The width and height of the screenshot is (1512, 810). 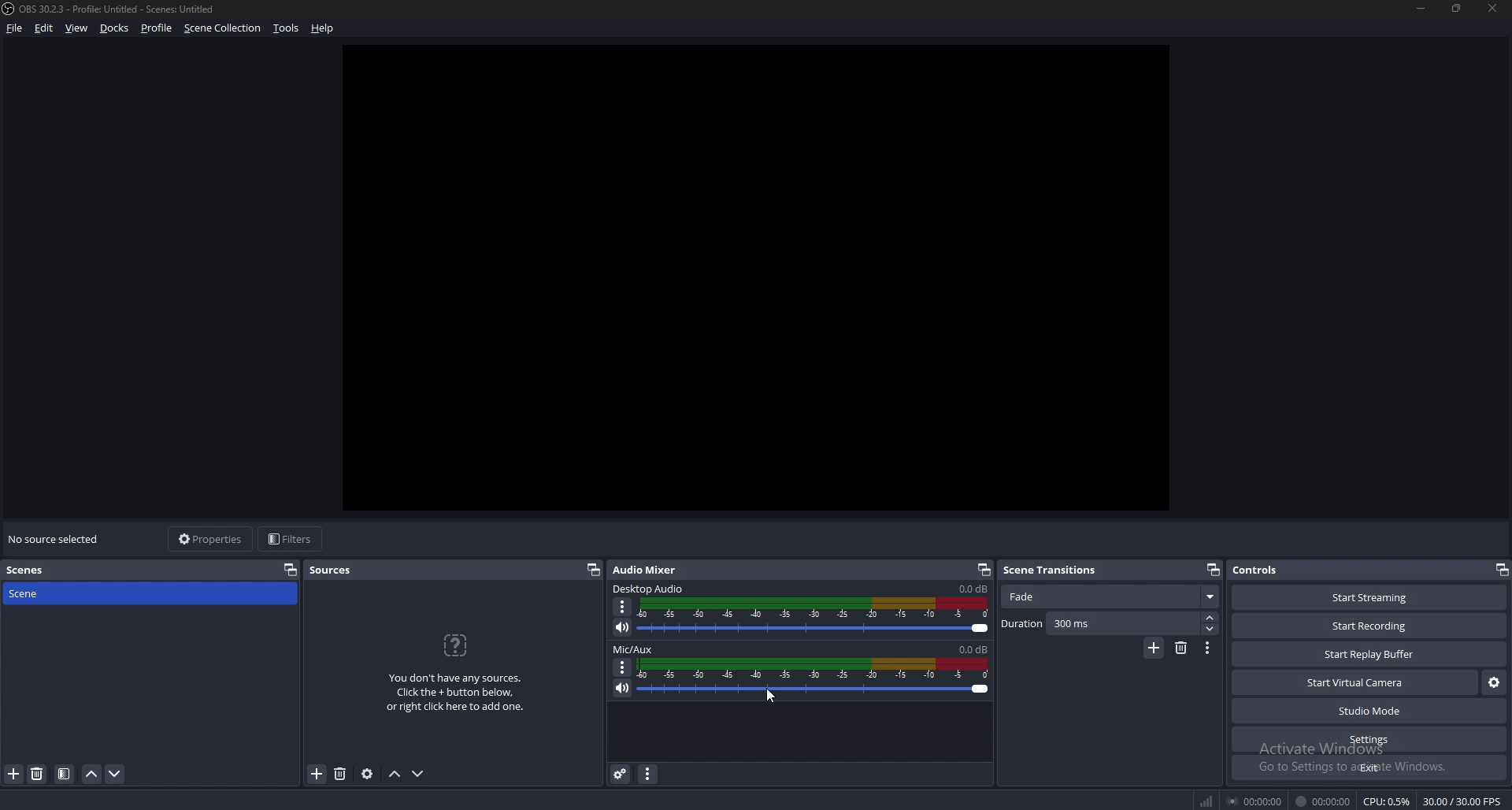 I want to click on transition properties, so click(x=1207, y=648).